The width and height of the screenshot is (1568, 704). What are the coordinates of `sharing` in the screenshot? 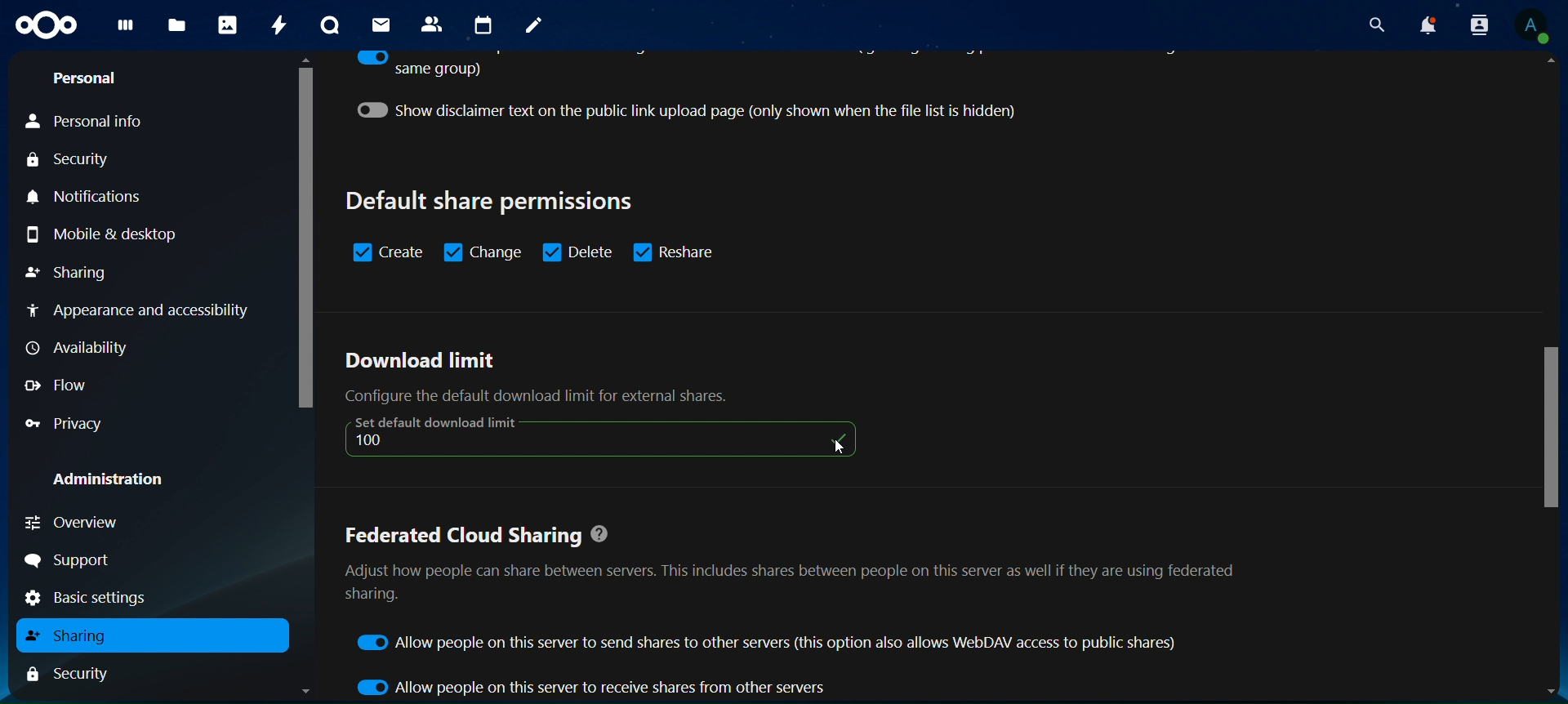 It's located at (69, 635).